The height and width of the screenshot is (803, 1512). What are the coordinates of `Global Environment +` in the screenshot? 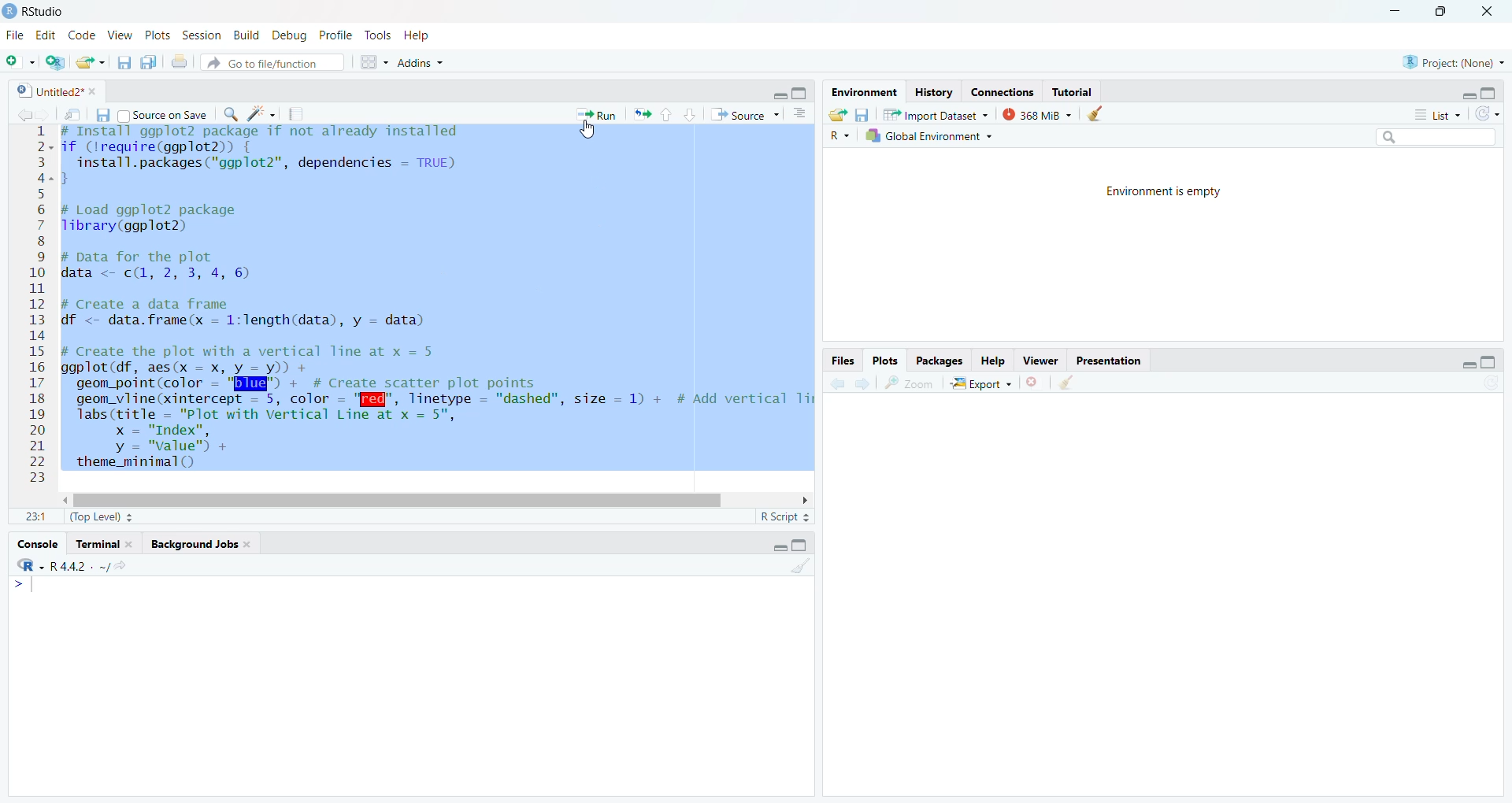 It's located at (929, 136).